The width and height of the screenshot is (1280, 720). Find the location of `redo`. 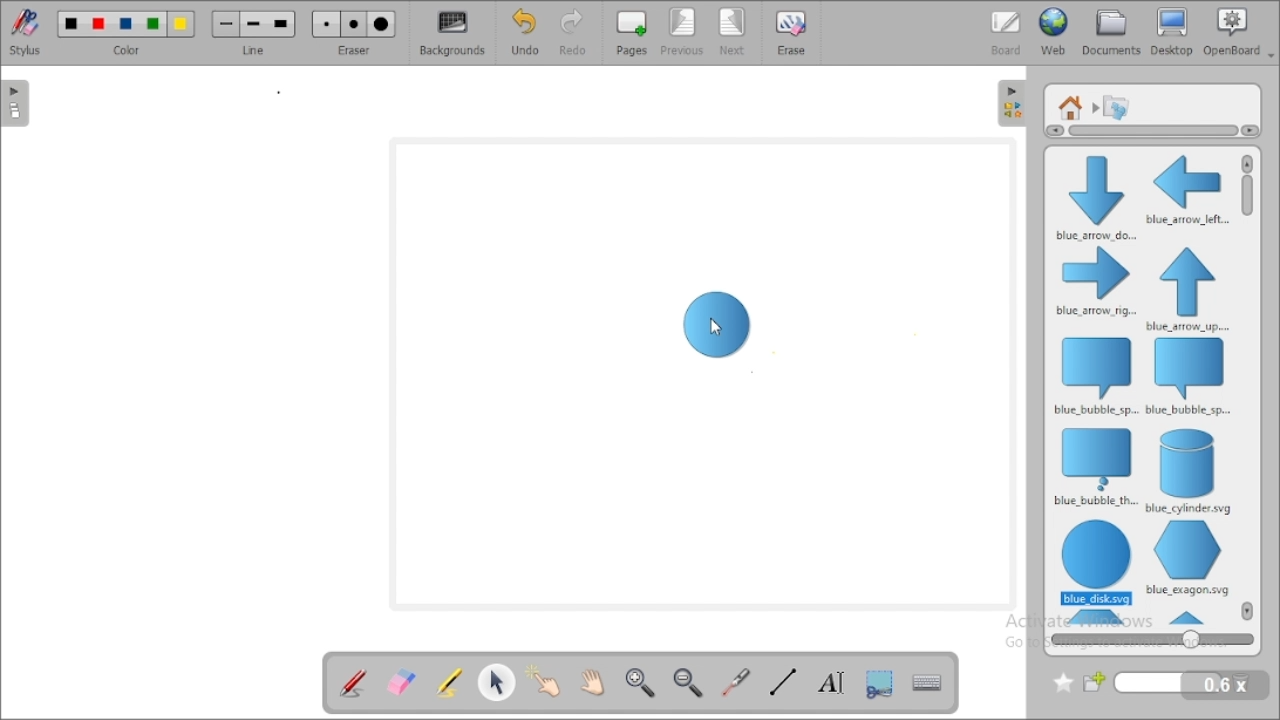

redo is located at coordinates (571, 33).